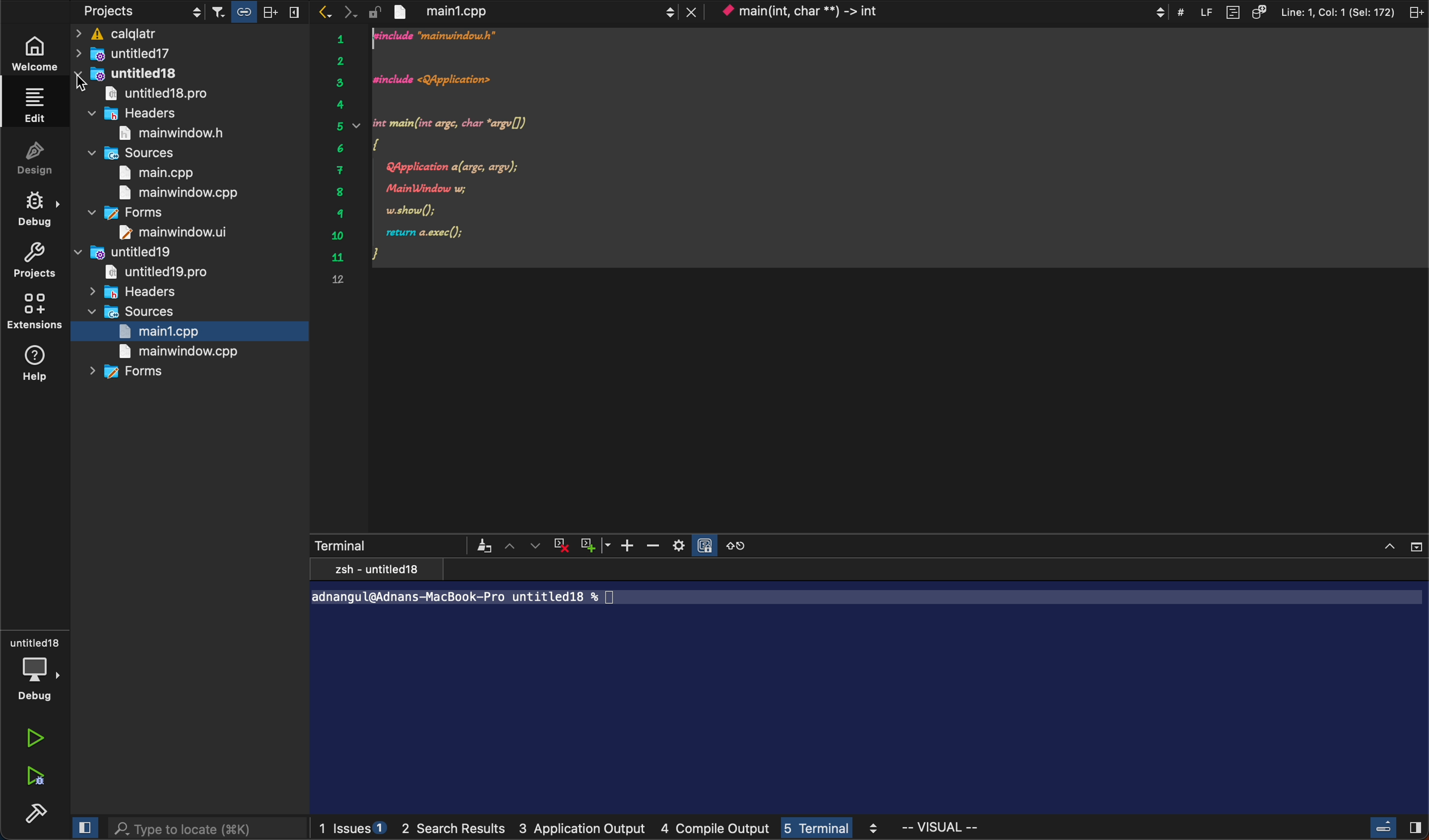  What do you see at coordinates (36, 52) in the screenshot?
I see `welcome` at bounding box center [36, 52].